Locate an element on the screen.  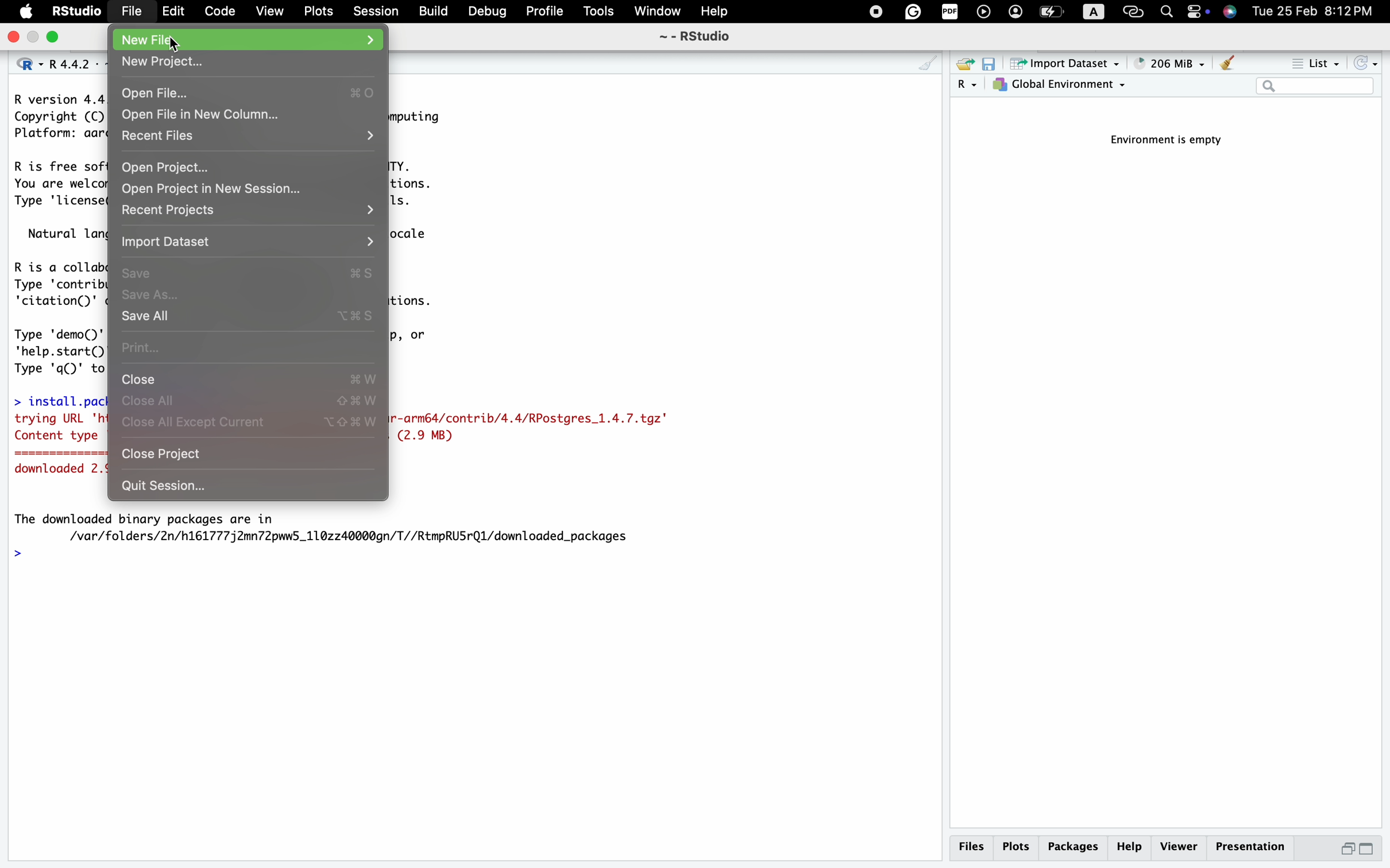
RStudio is located at coordinates (76, 10).